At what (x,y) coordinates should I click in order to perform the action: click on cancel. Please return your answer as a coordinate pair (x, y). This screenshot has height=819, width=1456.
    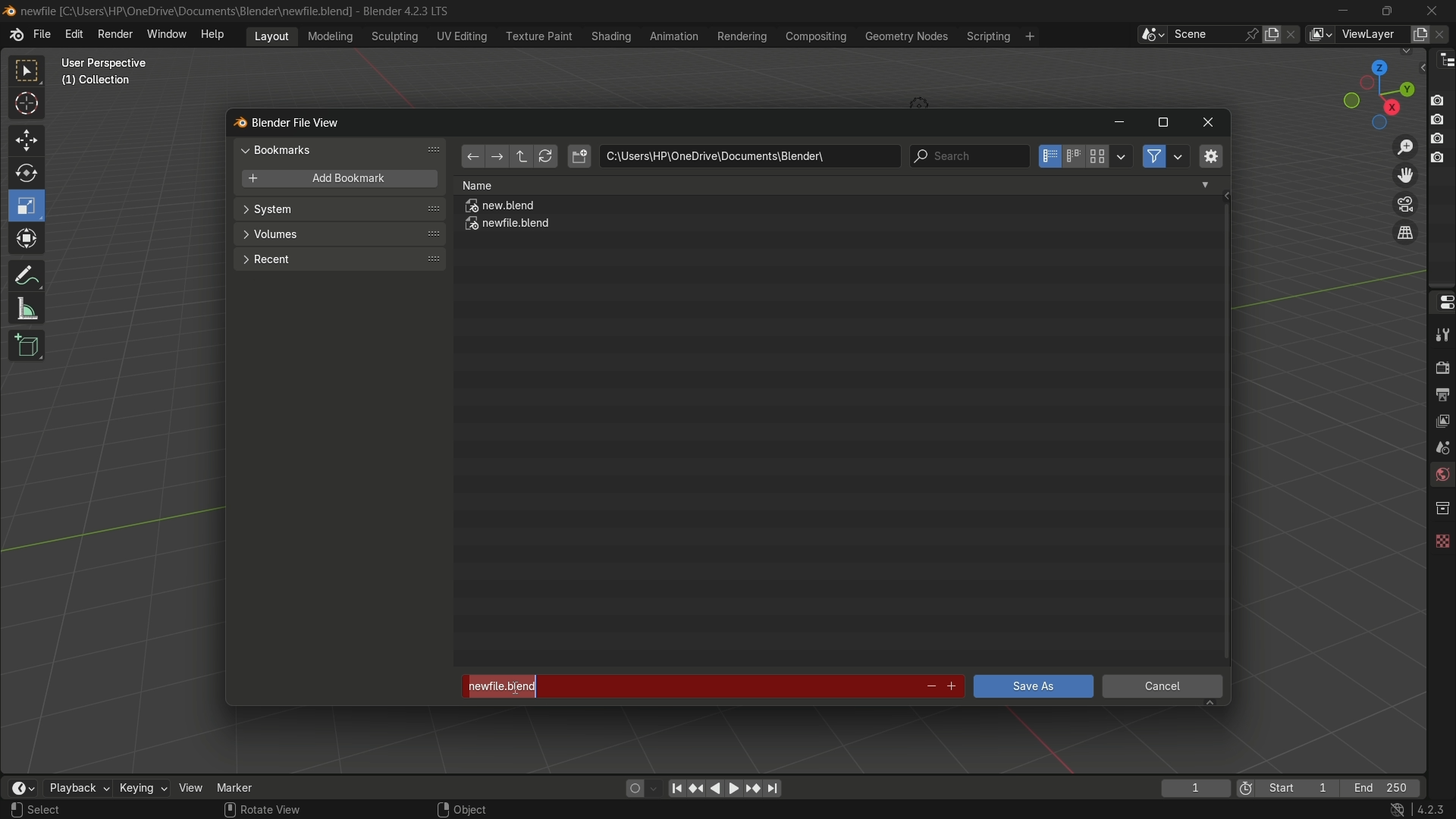
    Looking at the image, I should click on (1163, 689).